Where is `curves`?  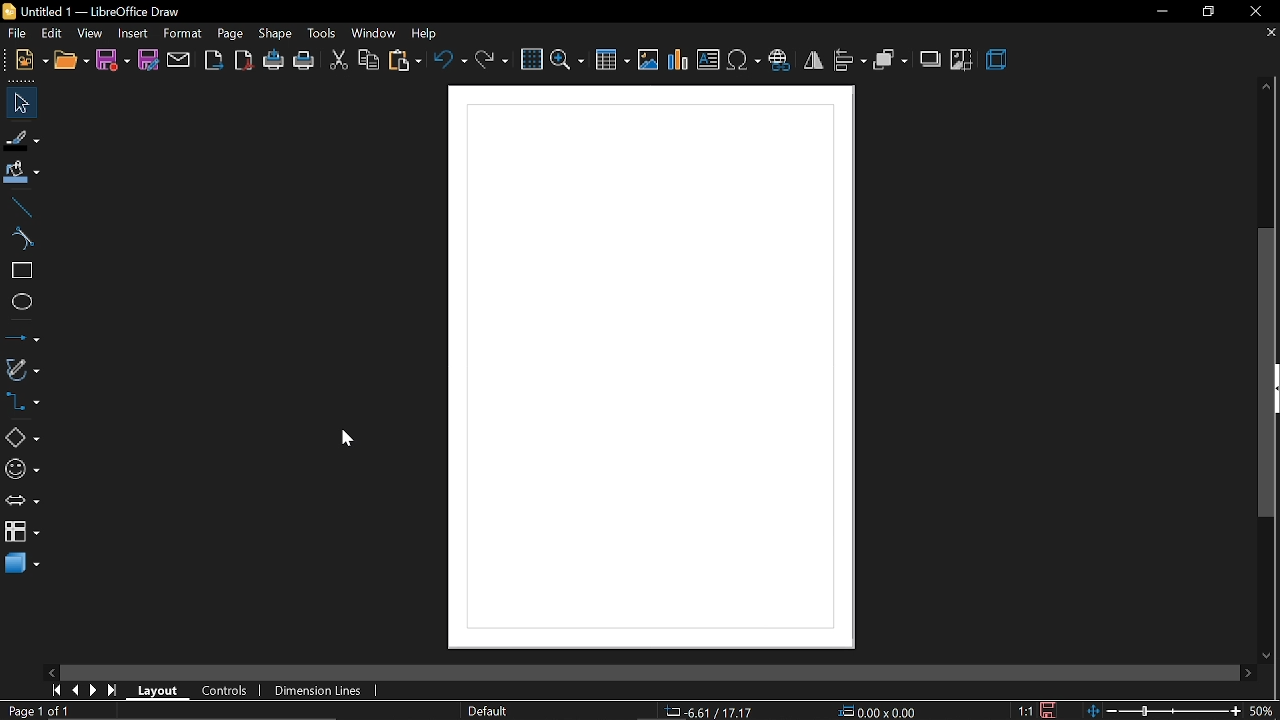
curves is located at coordinates (22, 241).